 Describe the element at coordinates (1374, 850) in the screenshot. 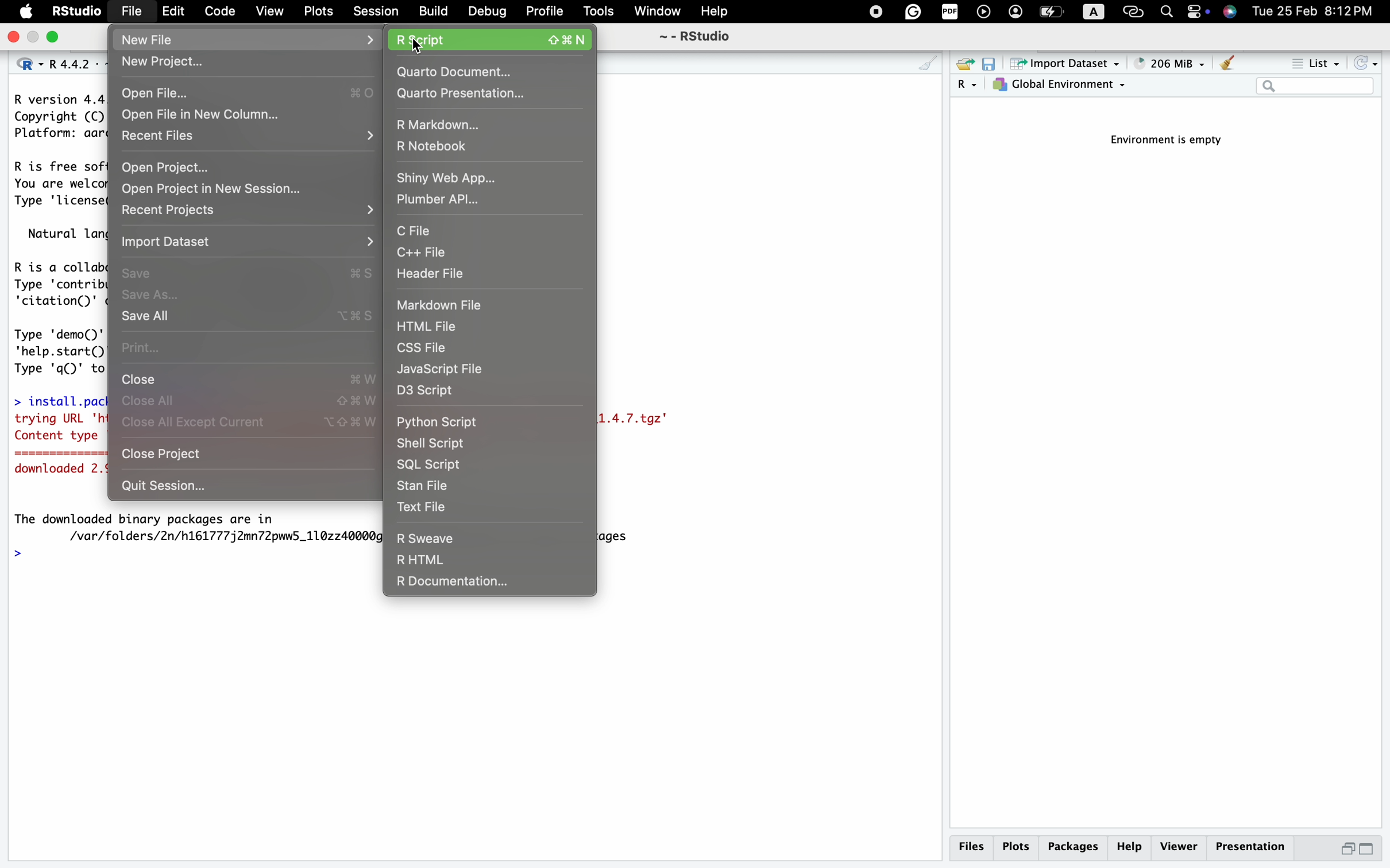

I see `maximize` at that location.